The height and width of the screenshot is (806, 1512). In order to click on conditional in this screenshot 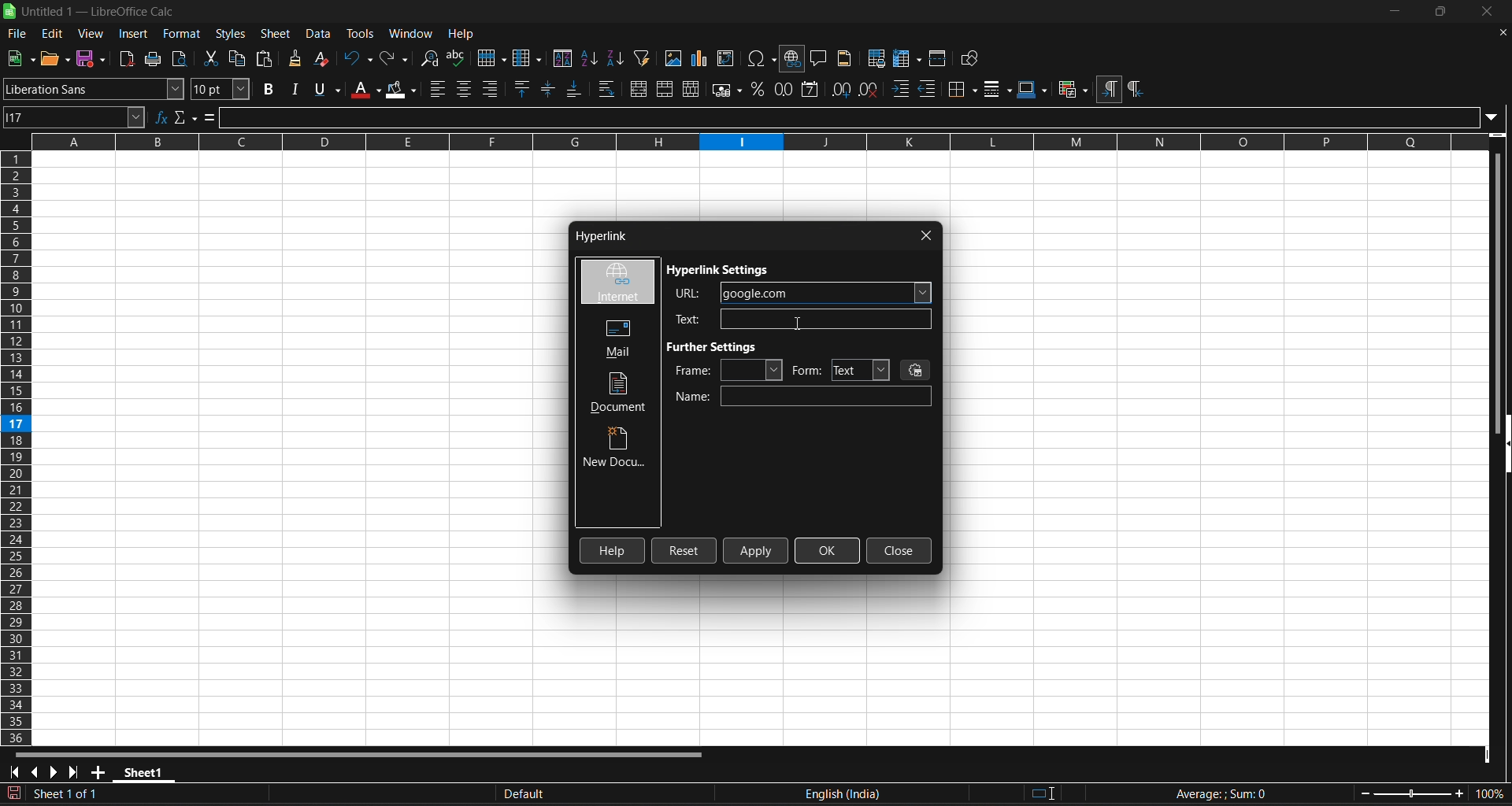, I will do `click(1072, 90)`.